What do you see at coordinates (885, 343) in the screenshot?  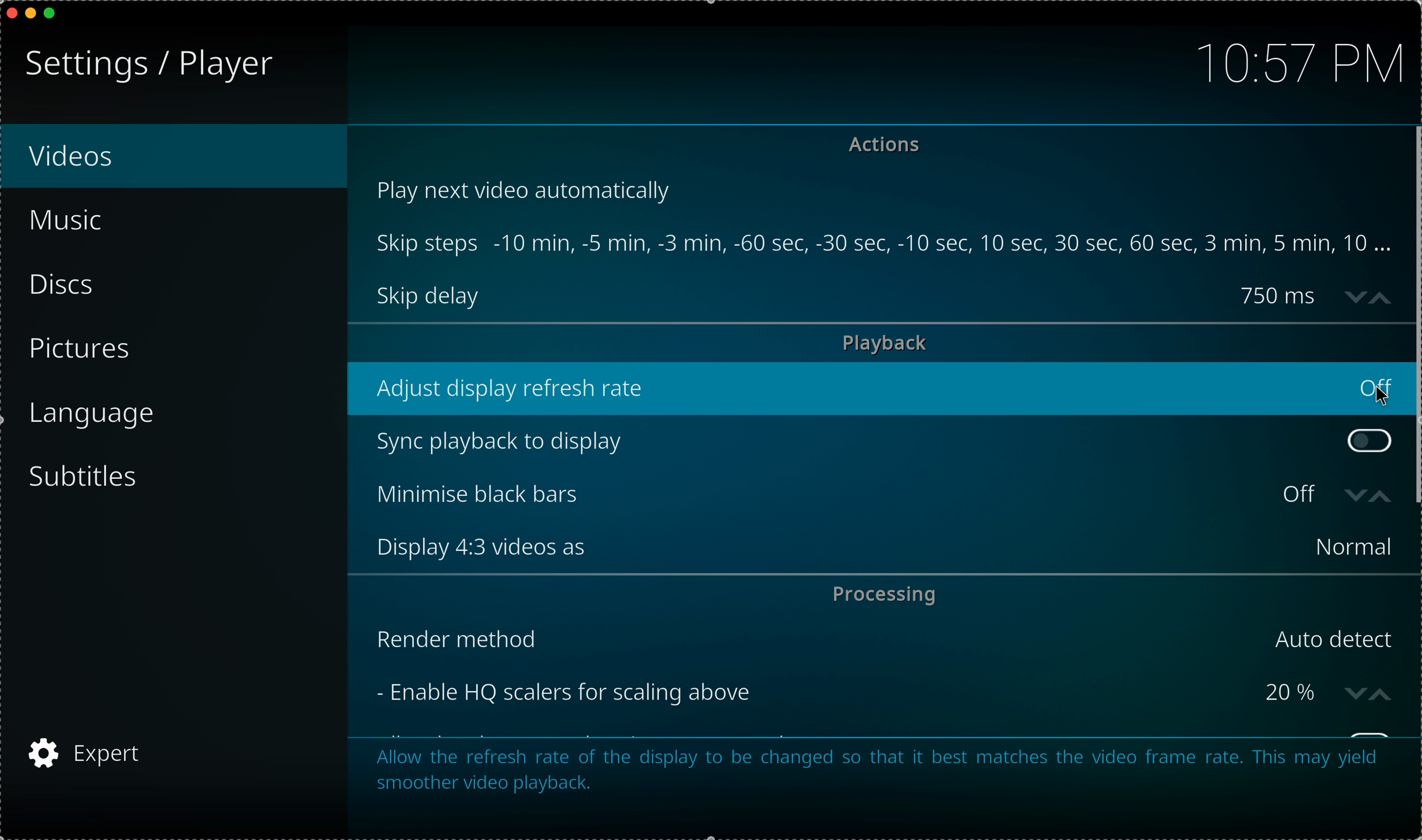 I see `playback` at bounding box center [885, 343].